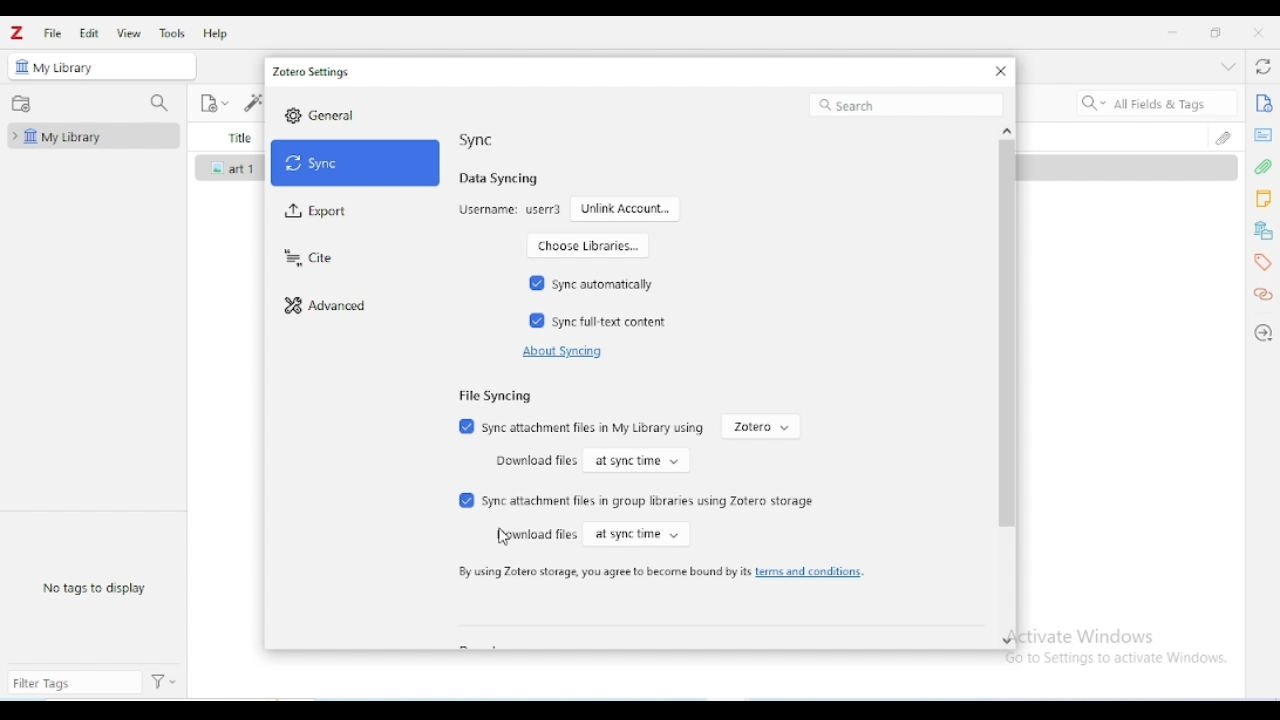 This screenshot has height=720, width=1280. Describe the element at coordinates (612, 322) in the screenshot. I see `sync full-text content` at that location.